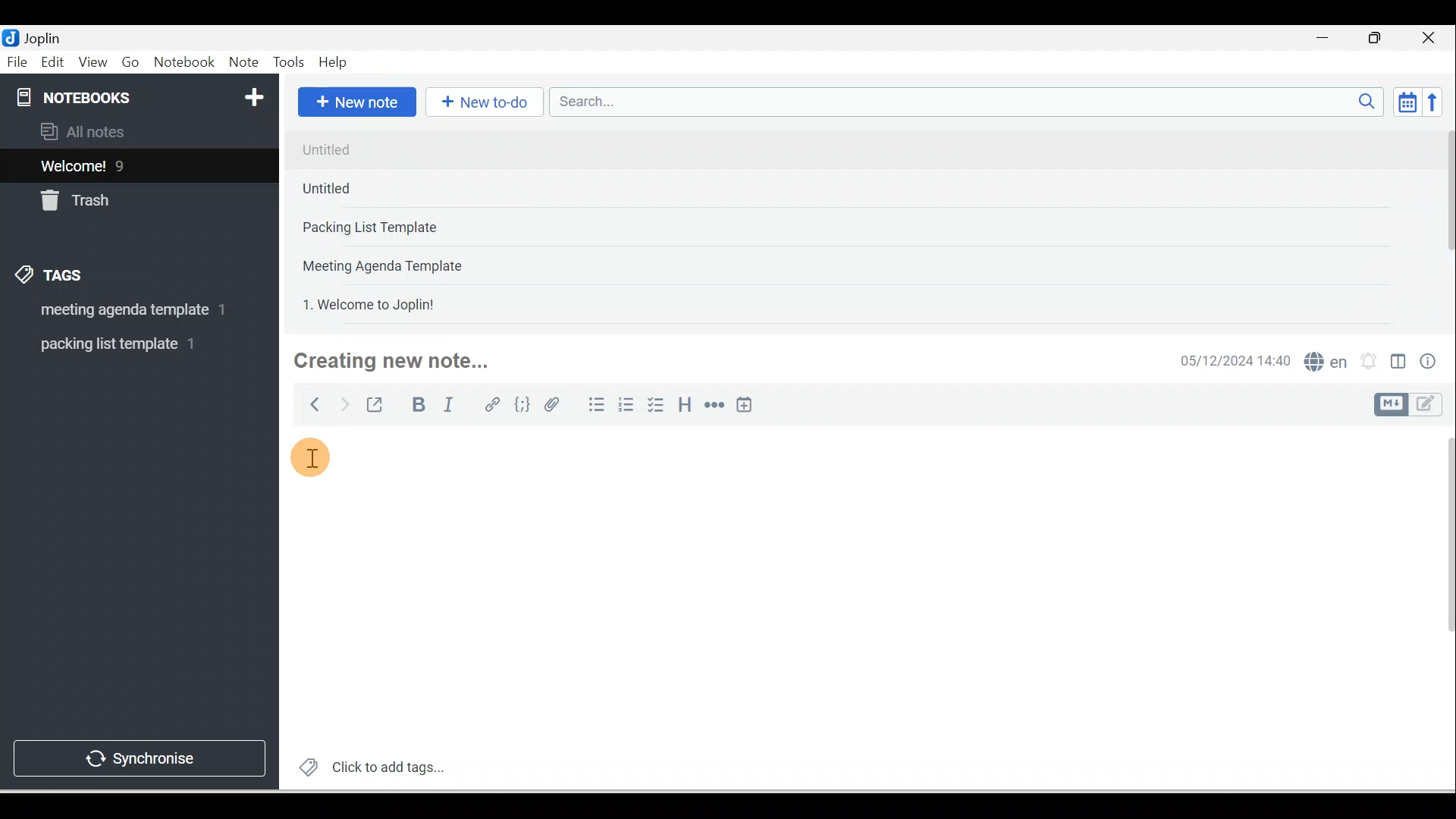 The image size is (1456, 819). I want to click on Spelling, so click(1323, 359).